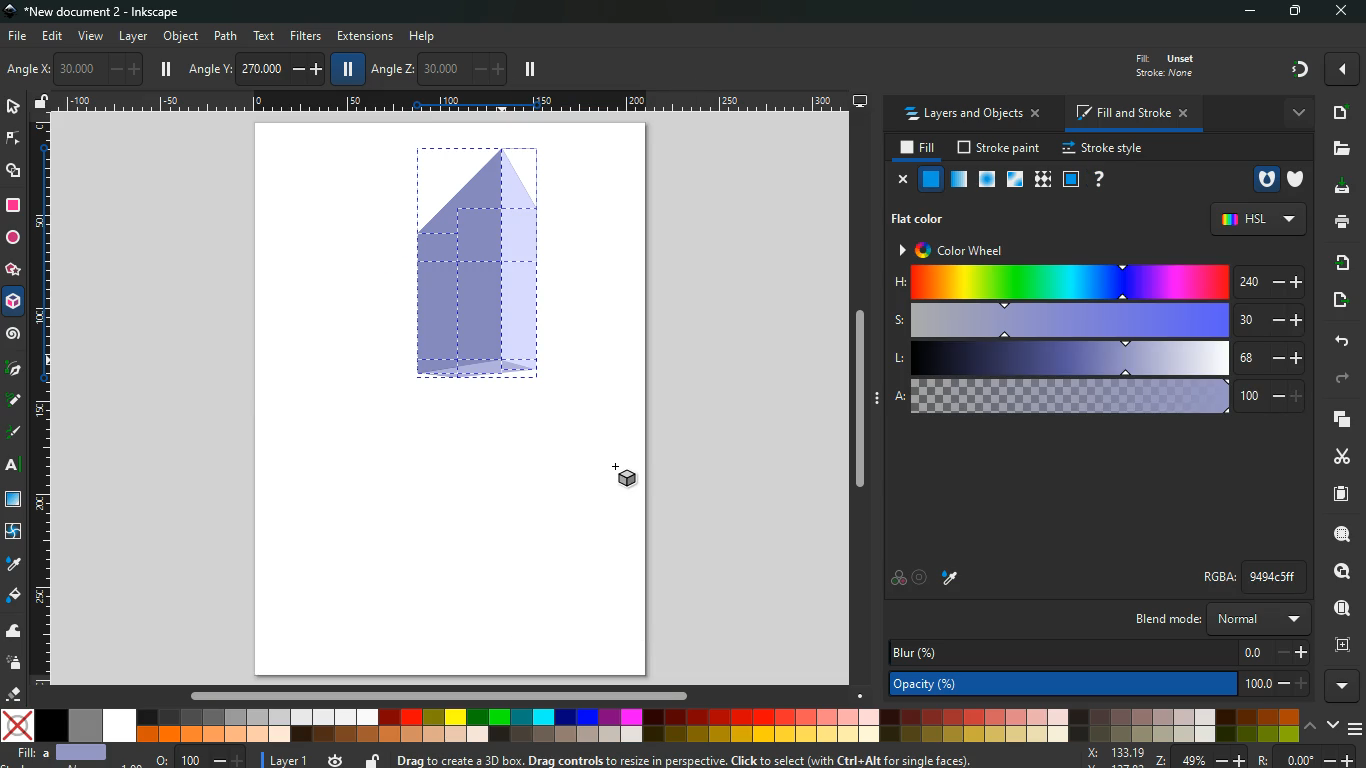 Image resolution: width=1366 pixels, height=768 pixels. I want to click on angle x, so click(82, 69).